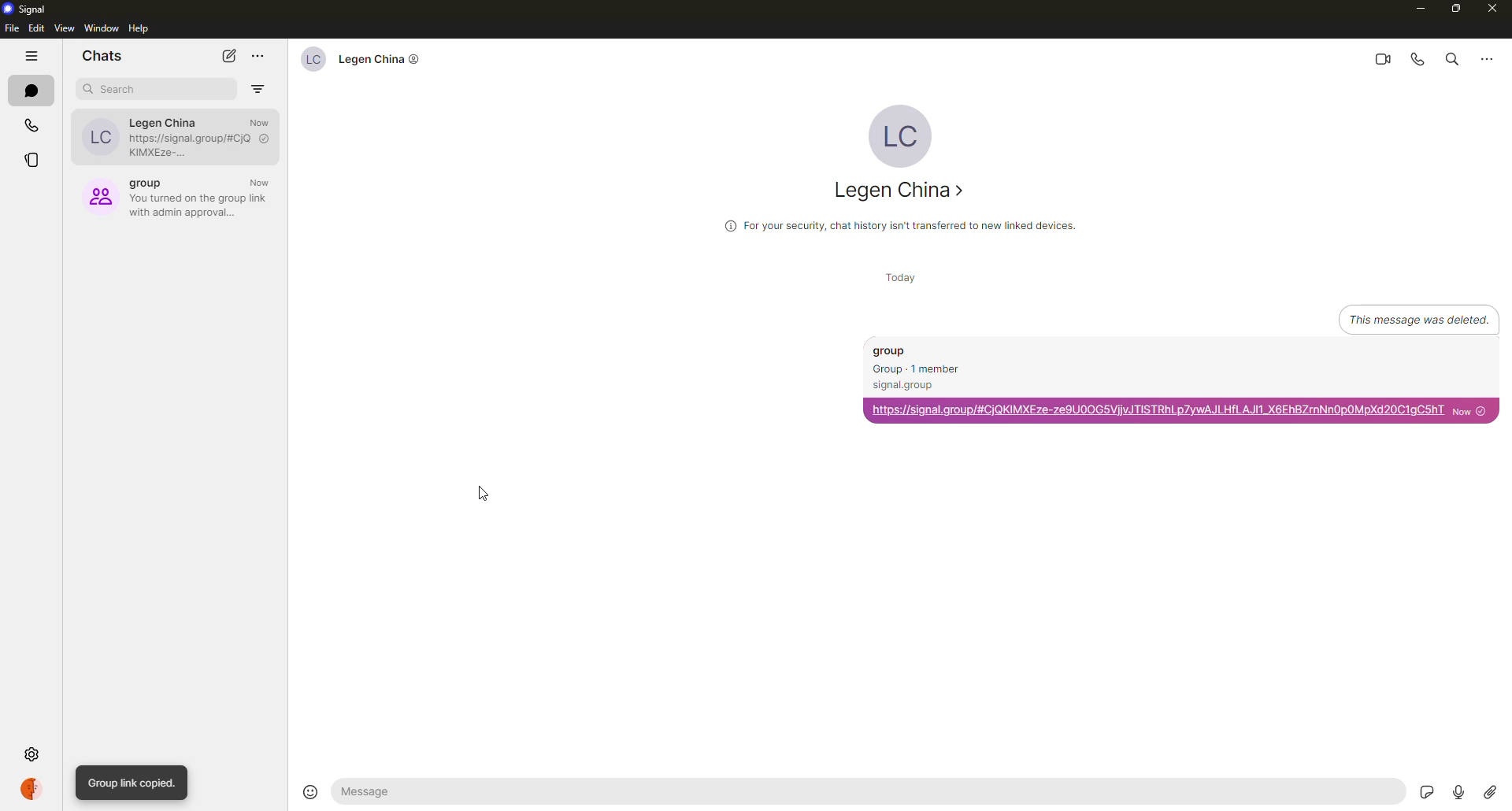 Image resolution: width=1512 pixels, height=811 pixels. What do you see at coordinates (172, 134) in the screenshot?
I see `contact` at bounding box center [172, 134].